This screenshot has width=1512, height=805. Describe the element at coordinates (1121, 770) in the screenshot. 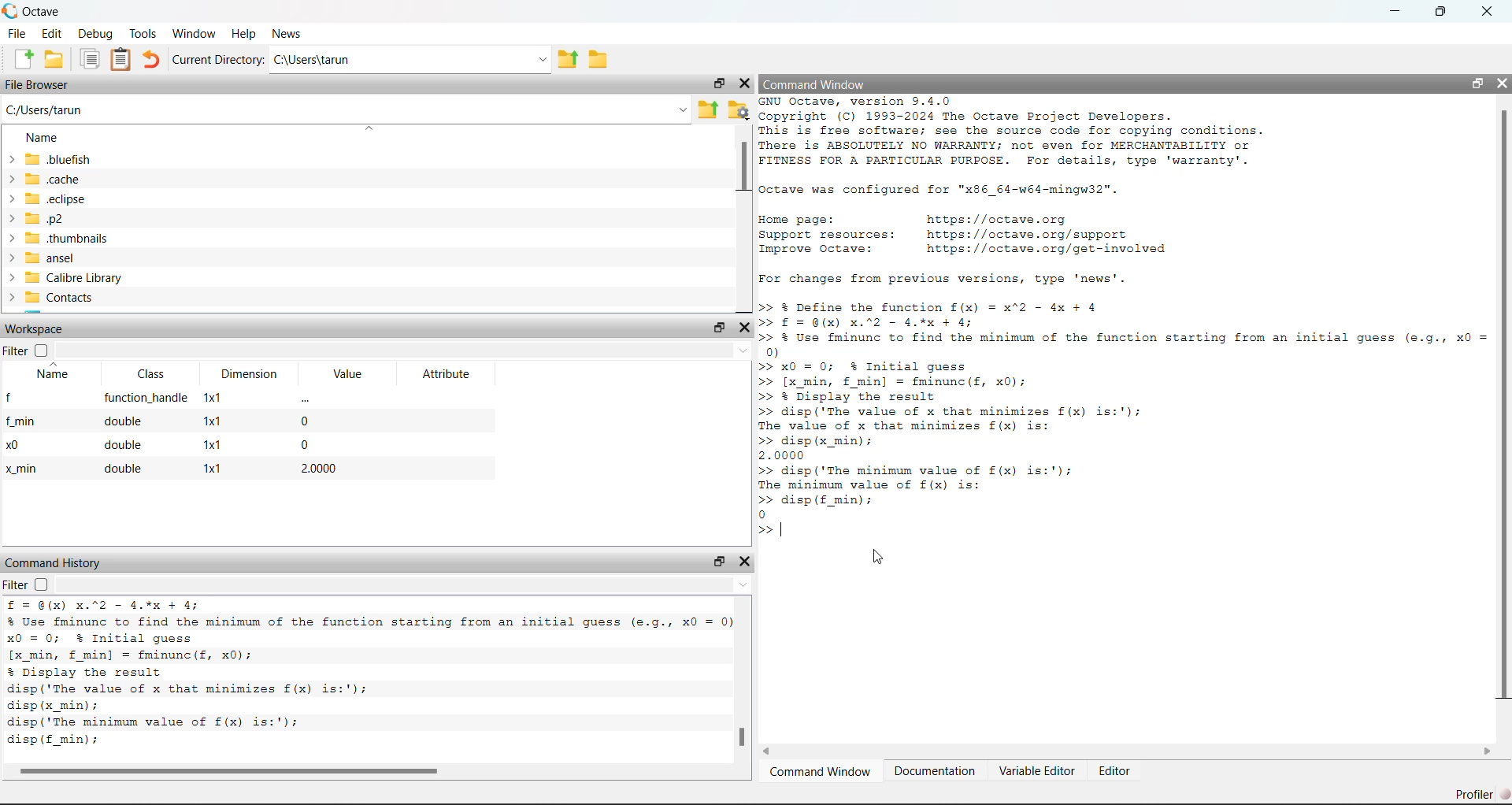

I see `Editor` at that location.